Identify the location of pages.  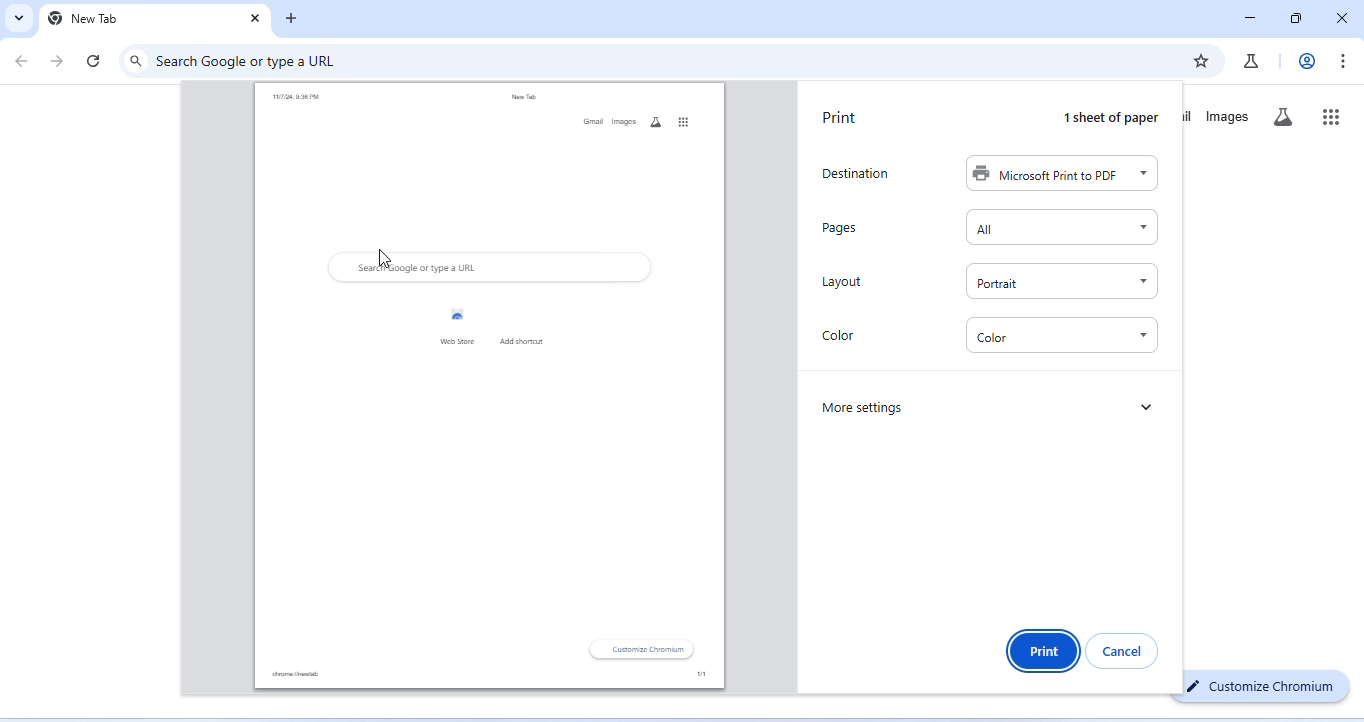
(846, 227).